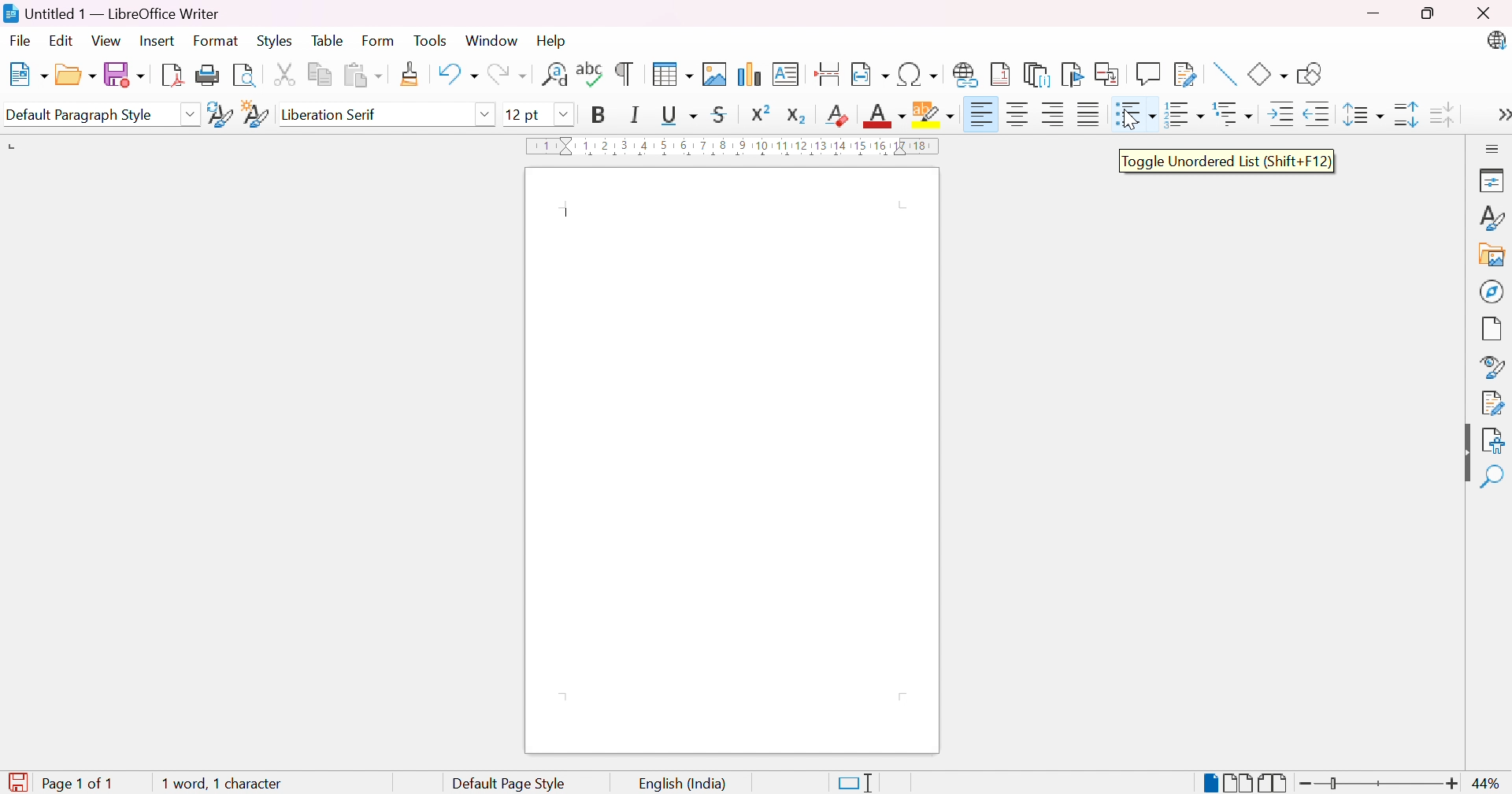 This screenshot has height=794, width=1512. Describe the element at coordinates (1089, 113) in the screenshot. I see `Justified` at that location.